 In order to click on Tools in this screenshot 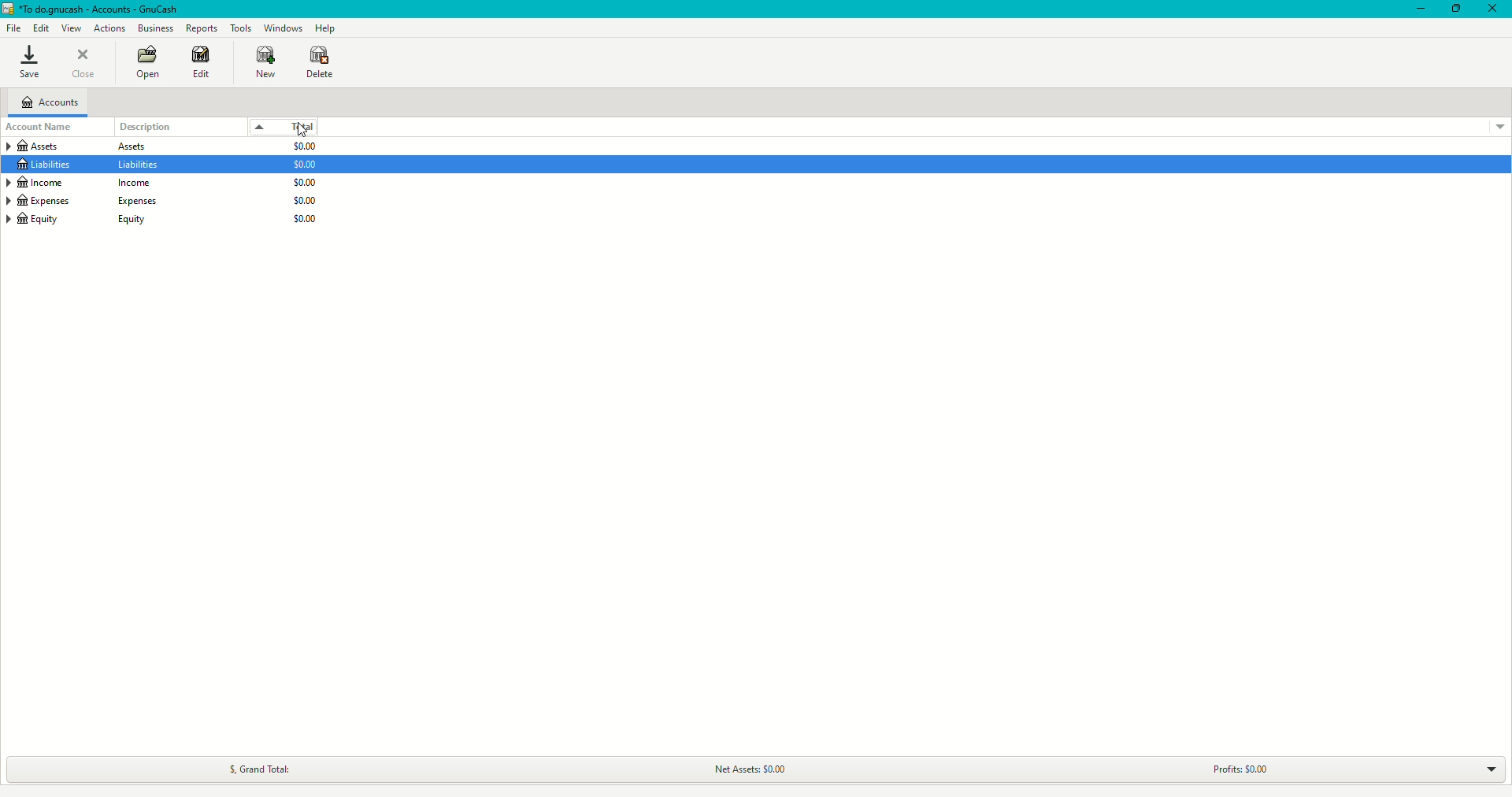, I will do `click(240, 27)`.